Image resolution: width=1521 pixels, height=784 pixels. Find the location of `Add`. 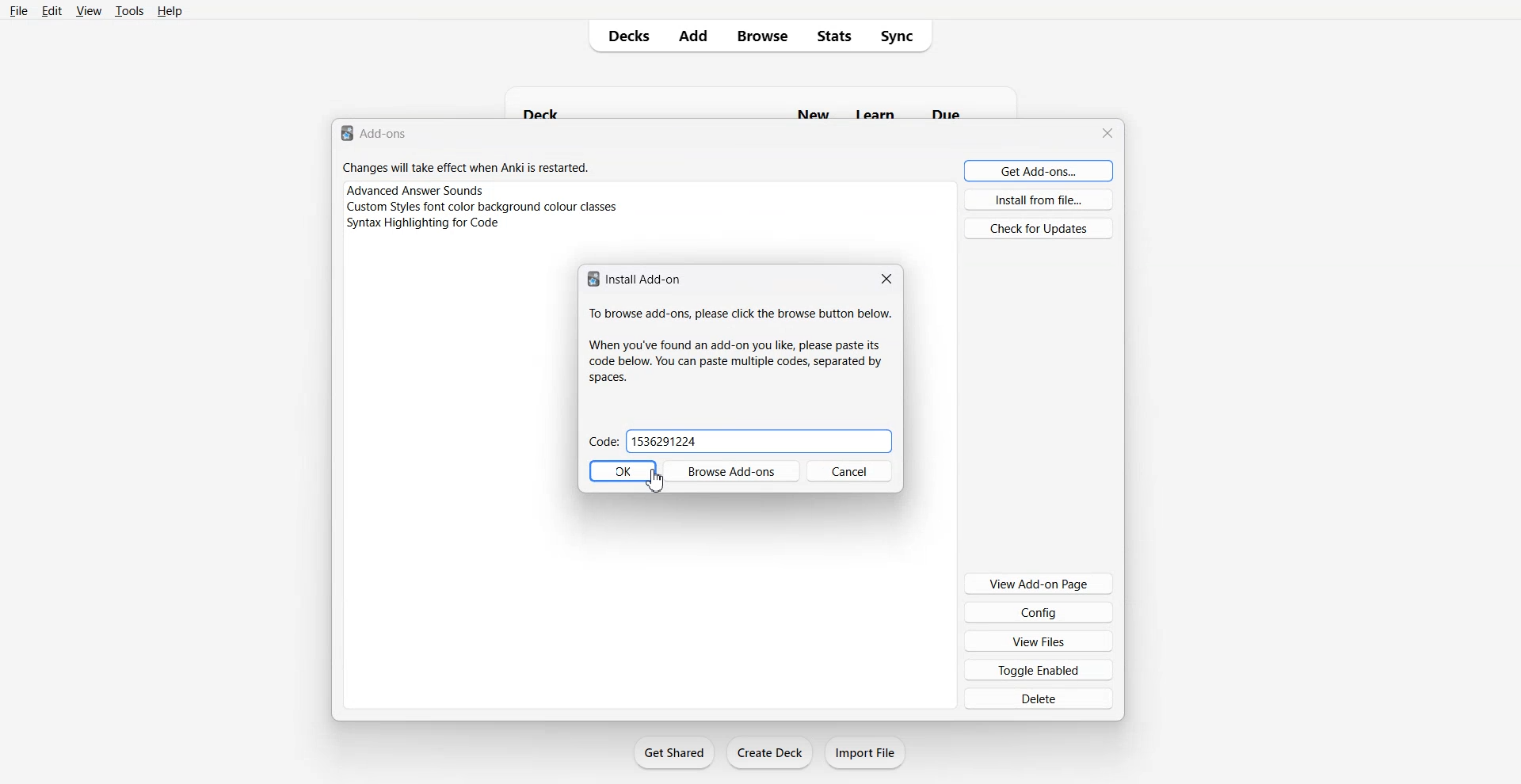

Add is located at coordinates (693, 36).